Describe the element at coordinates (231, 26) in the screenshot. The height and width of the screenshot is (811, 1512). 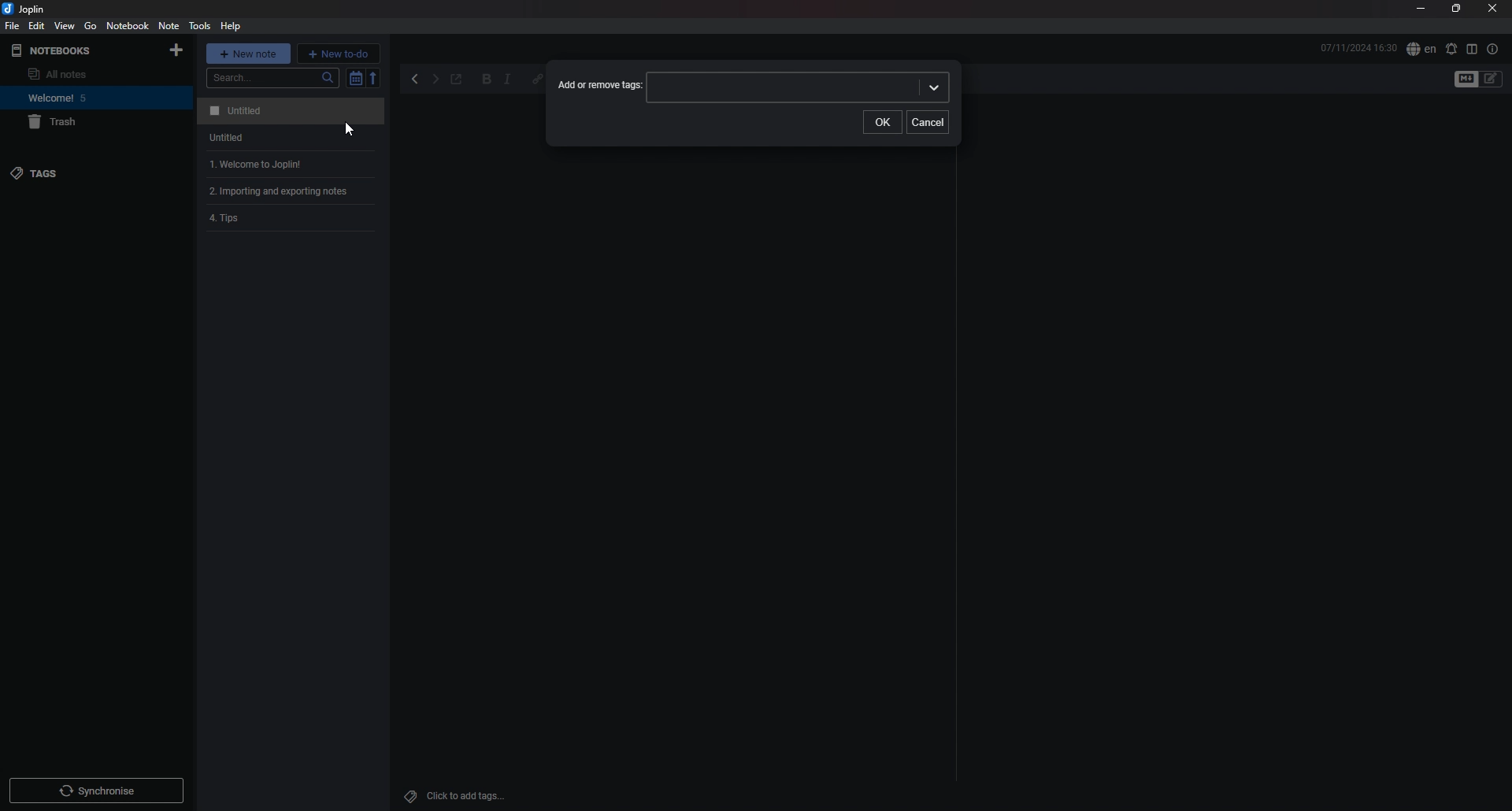
I see `HELP` at that location.